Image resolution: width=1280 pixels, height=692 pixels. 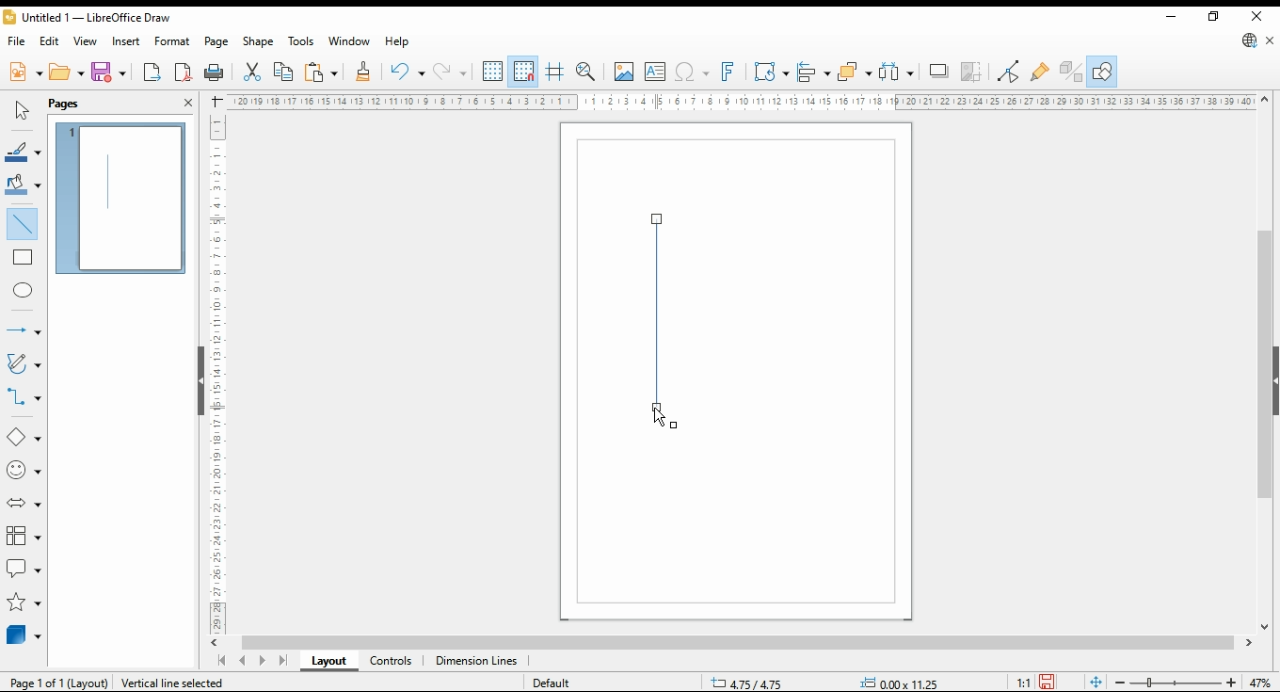 What do you see at coordinates (655, 72) in the screenshot?
I see `insert text box` at bounding box center [655, 72].